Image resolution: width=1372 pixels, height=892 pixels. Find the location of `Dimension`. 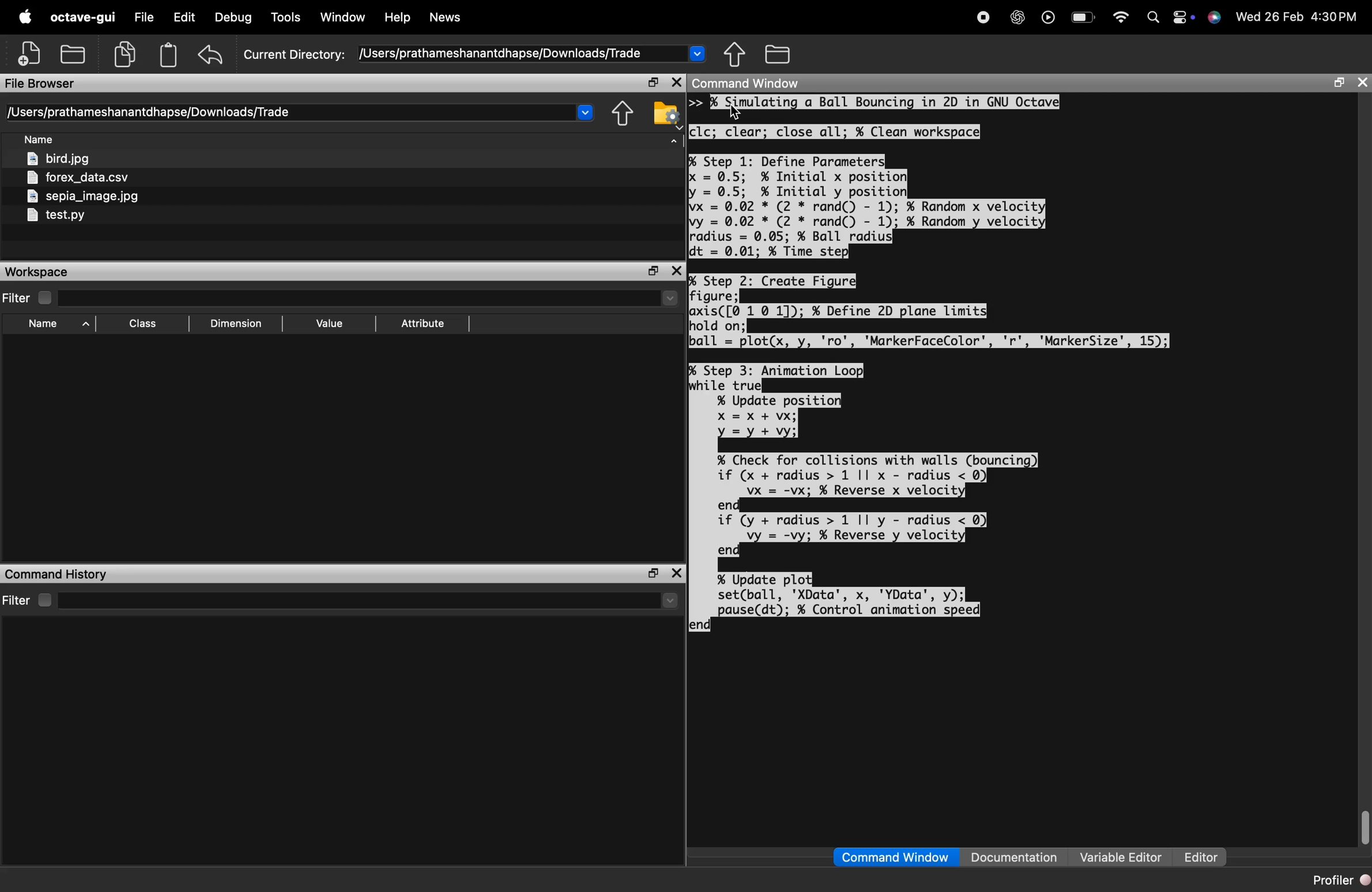

Dimension is located at coordinates (236, 324).